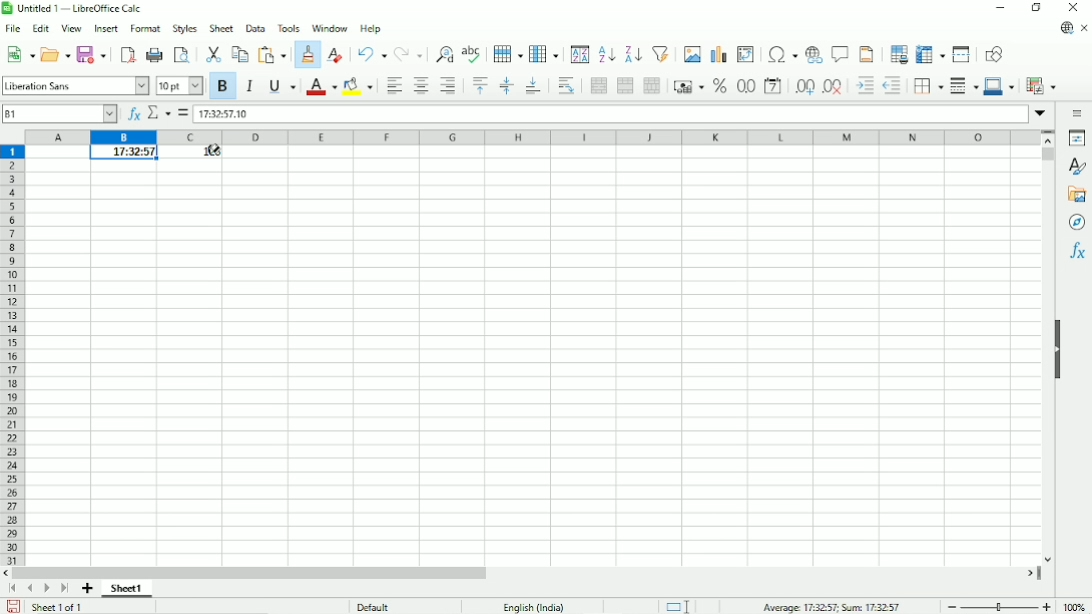 The width and height of the screenshot is (1092, 614). Describe the element at coordinates (371, 54) in the screenshot. I see `Undo` at that location.